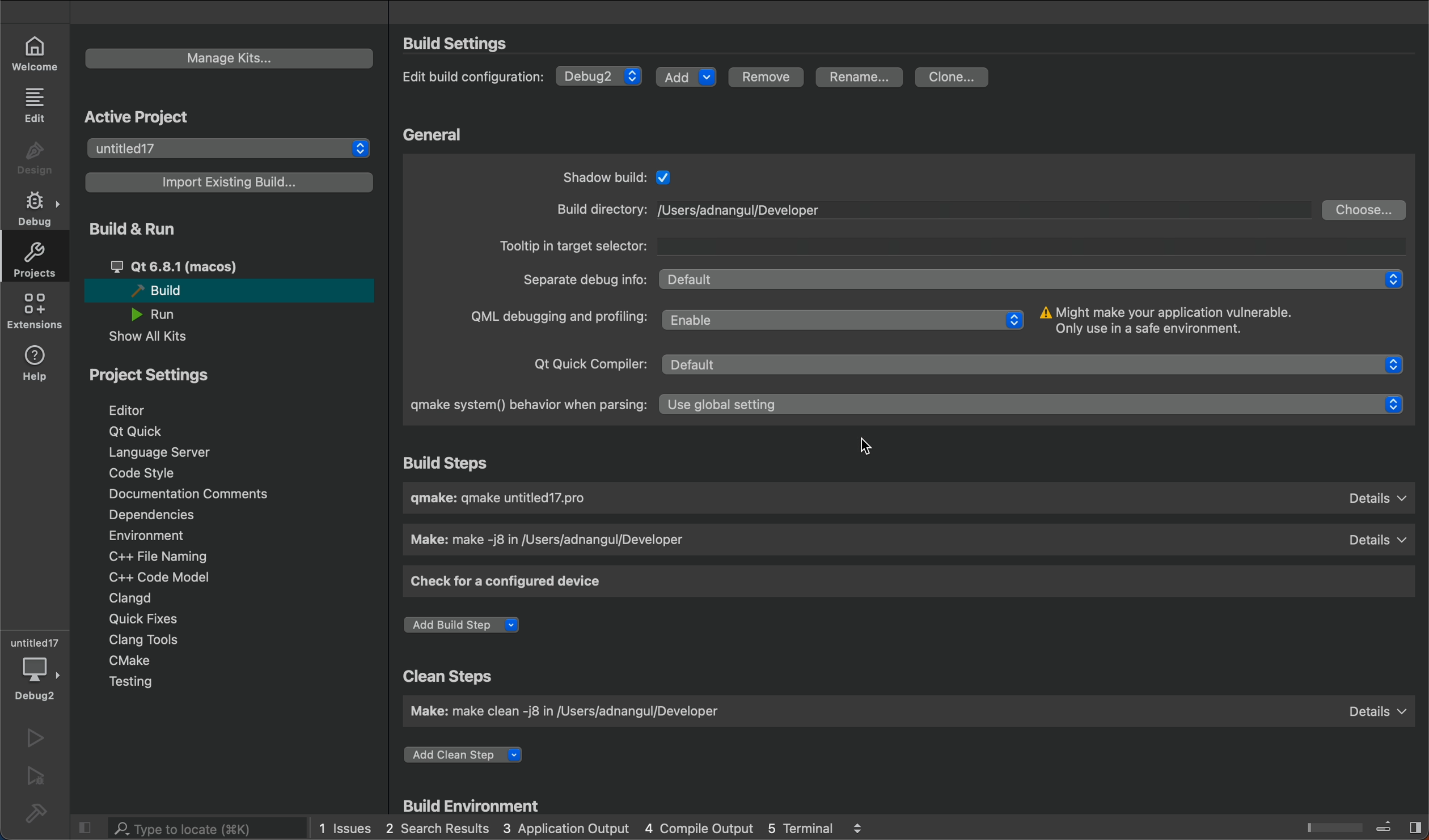  What do you see at coordinates (158, 577) in the screenshot?
I see `c model` at bounding box center [158, 577].